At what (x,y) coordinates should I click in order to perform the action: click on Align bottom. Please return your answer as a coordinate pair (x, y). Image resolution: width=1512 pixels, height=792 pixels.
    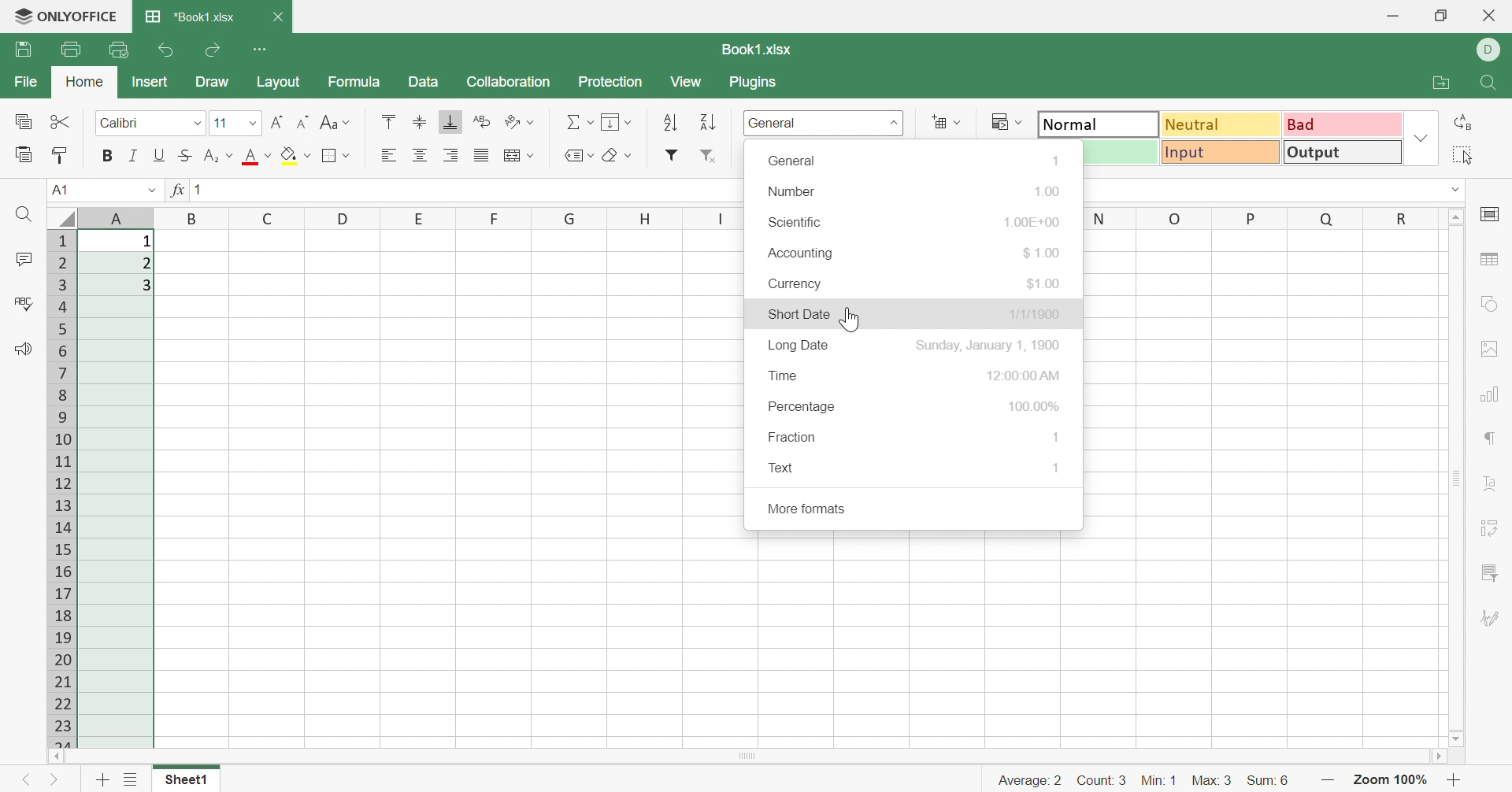
    Looking at the image, I should click on (450, 122).